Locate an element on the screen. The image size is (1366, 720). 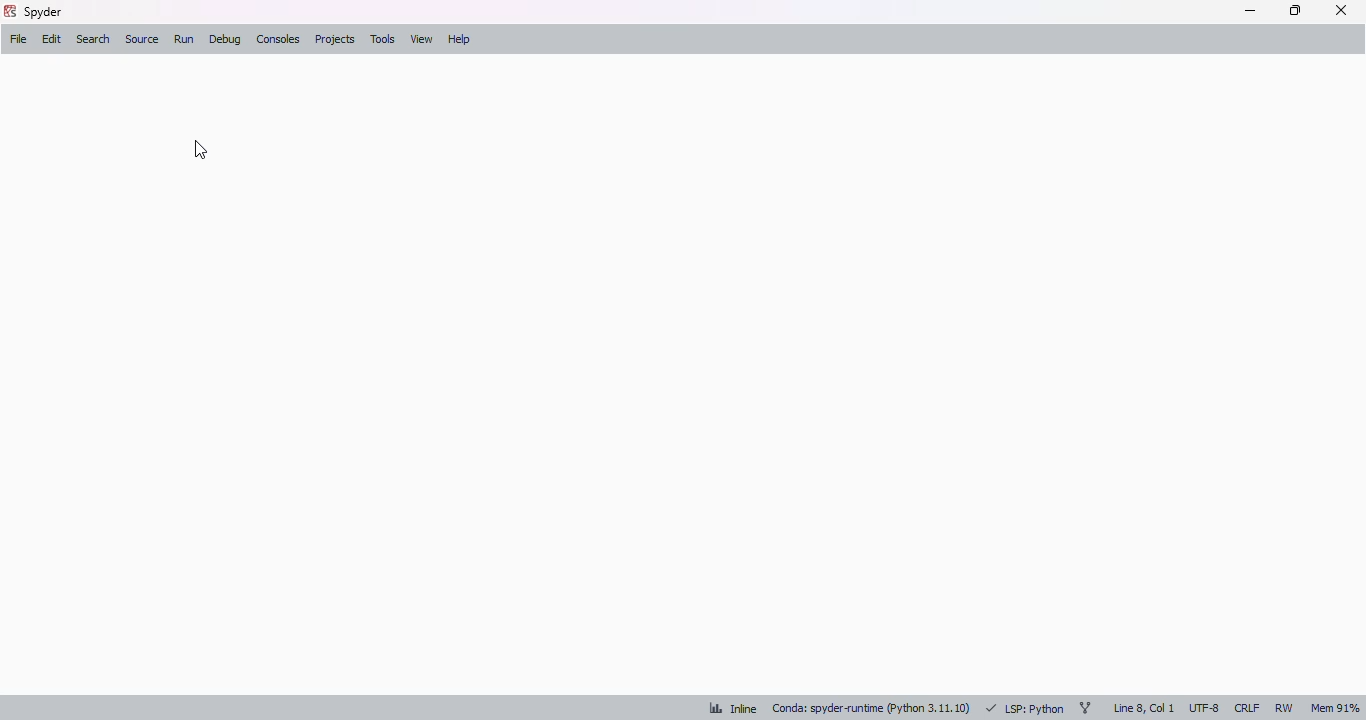
run is located at coordinates (185, 39).